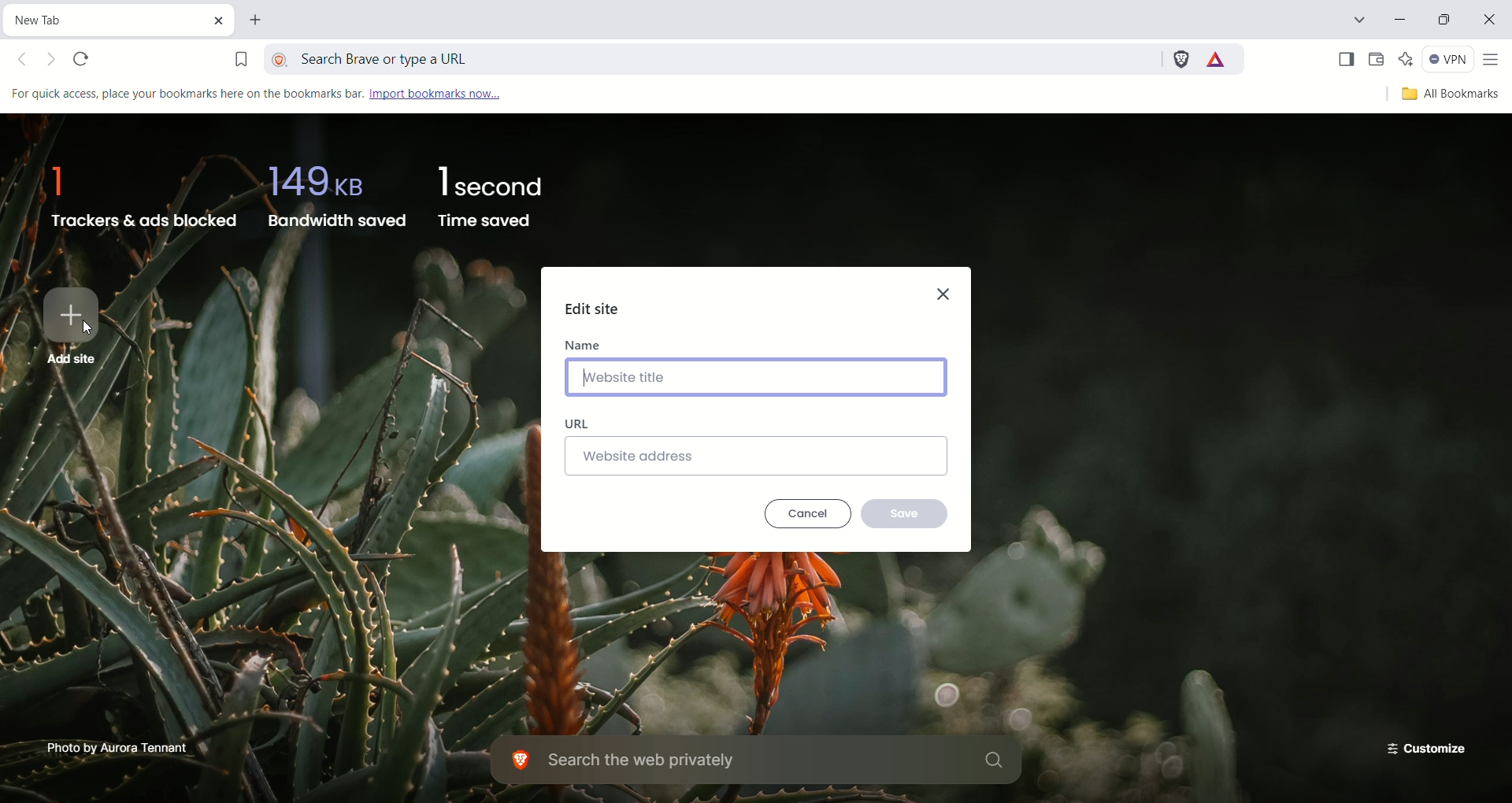 This screenshot has width=1512, height=803. Describe the element at coordinates (1358, 22) in the screenshot. I see `search tabs` at that location.